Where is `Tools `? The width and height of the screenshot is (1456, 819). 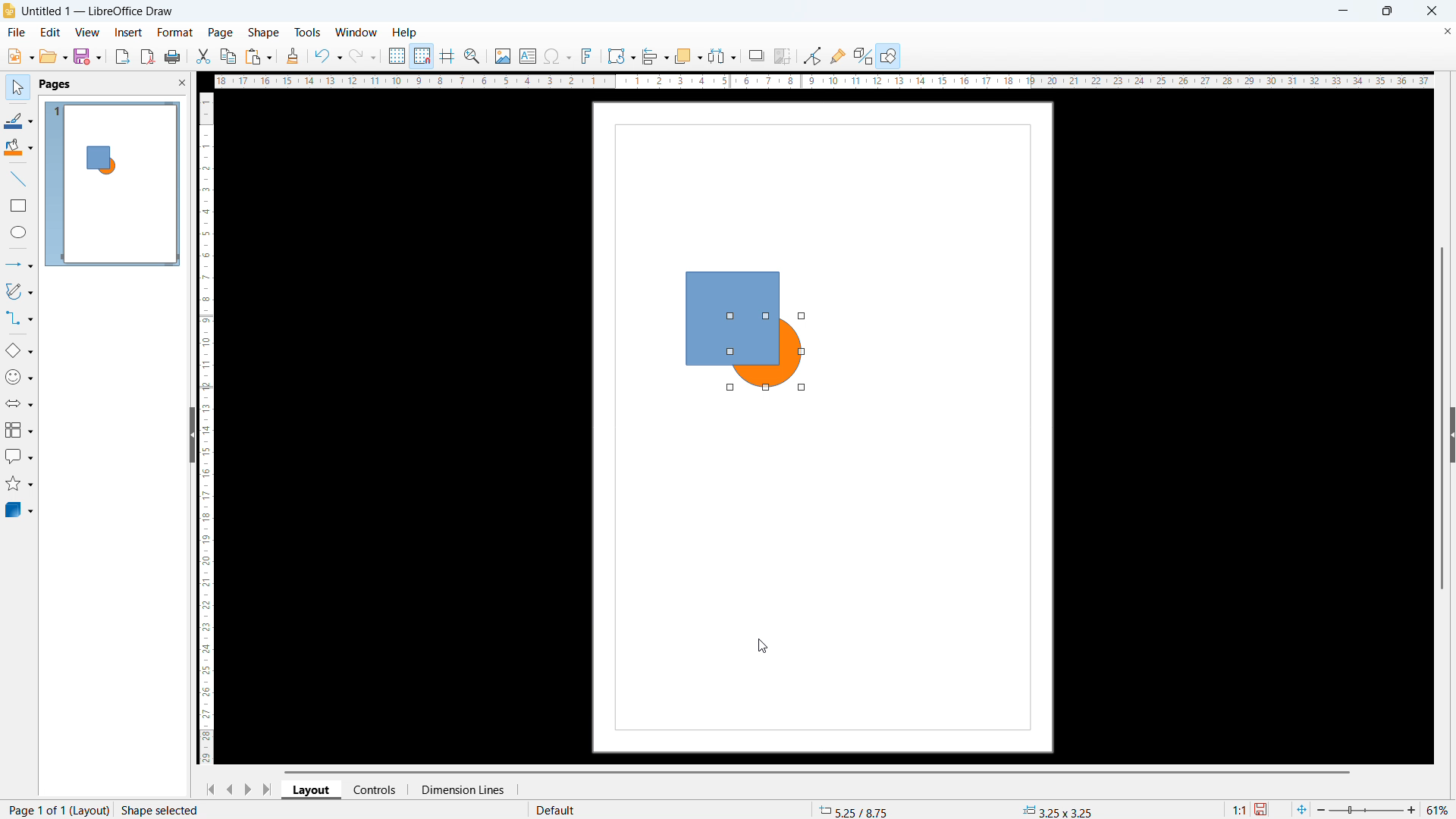 Tools  is located at coordinates (306, 32).